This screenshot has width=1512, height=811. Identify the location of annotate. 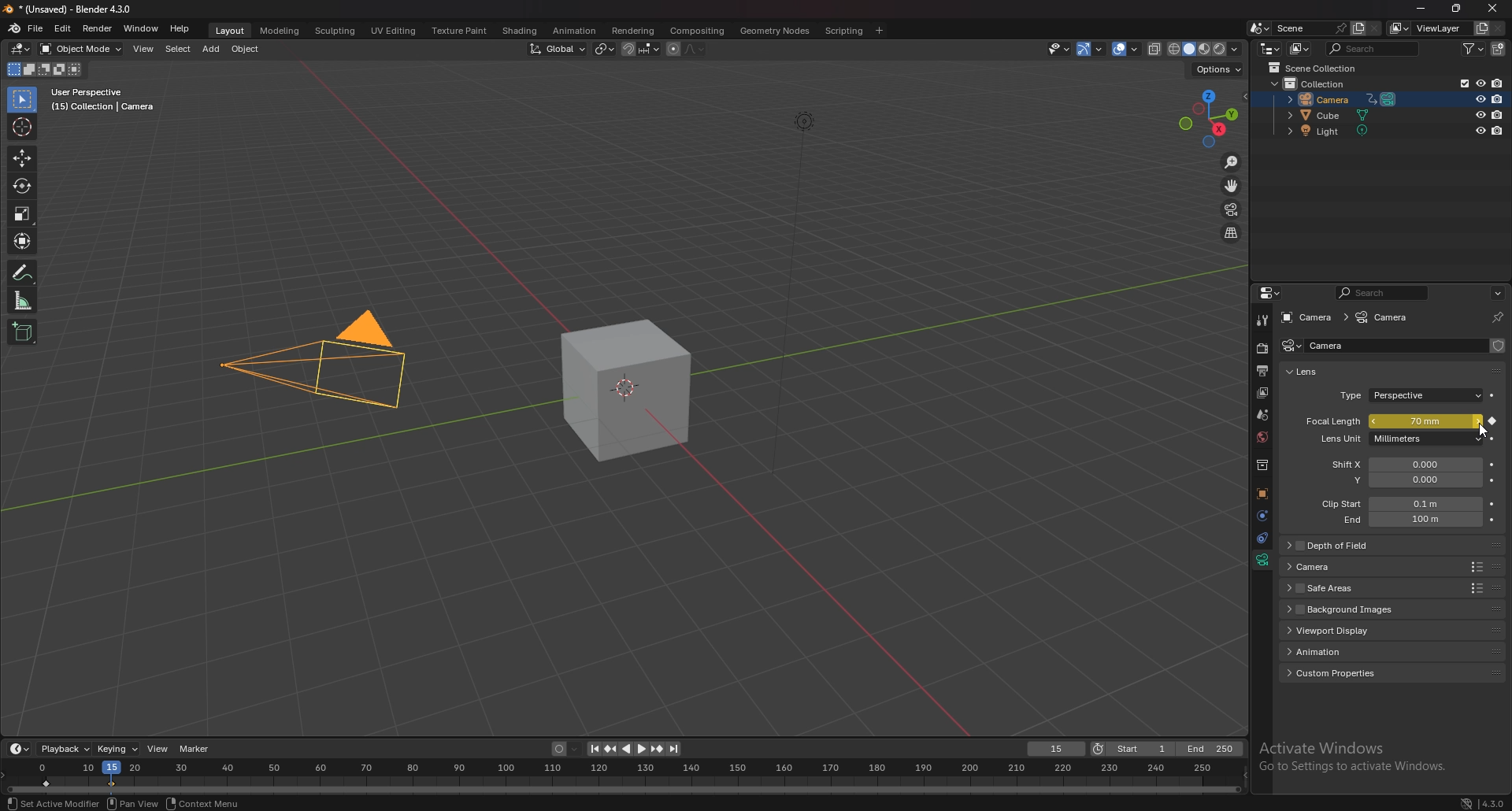
(24, 272).